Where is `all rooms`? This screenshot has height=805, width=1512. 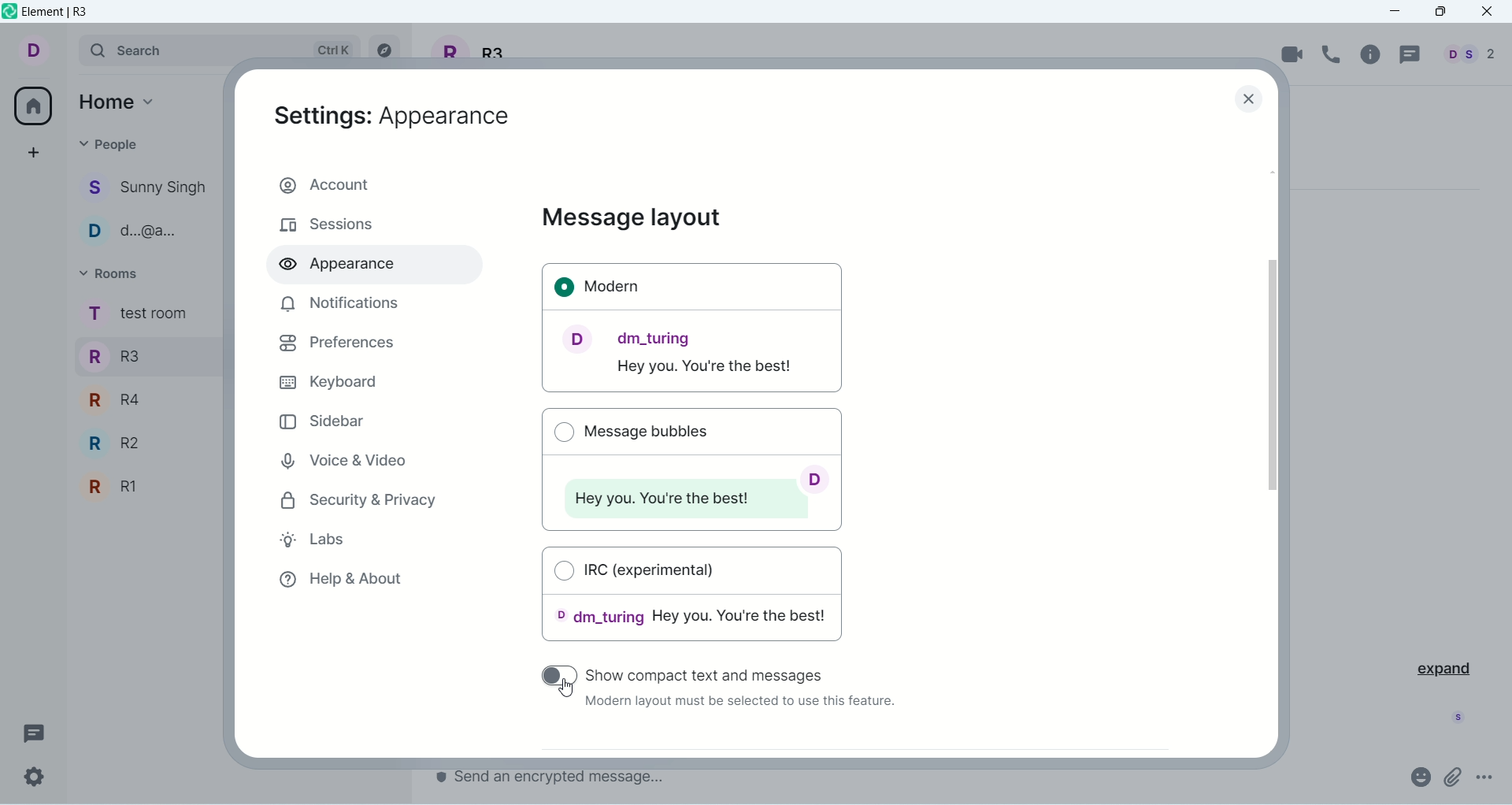
all rooms is located at coordinates (29, 106).